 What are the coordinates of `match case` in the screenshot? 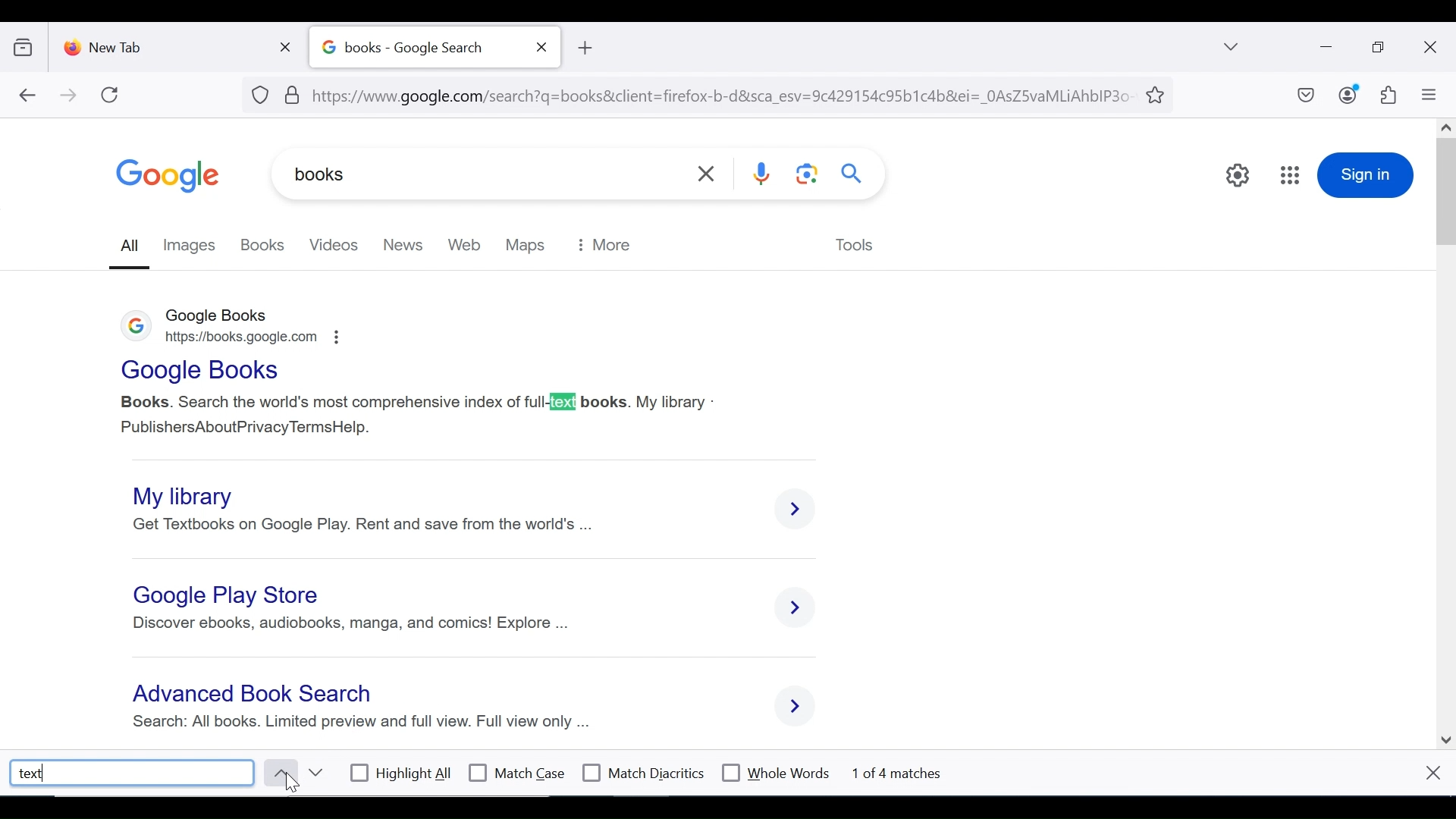 It's located at (518, 773).